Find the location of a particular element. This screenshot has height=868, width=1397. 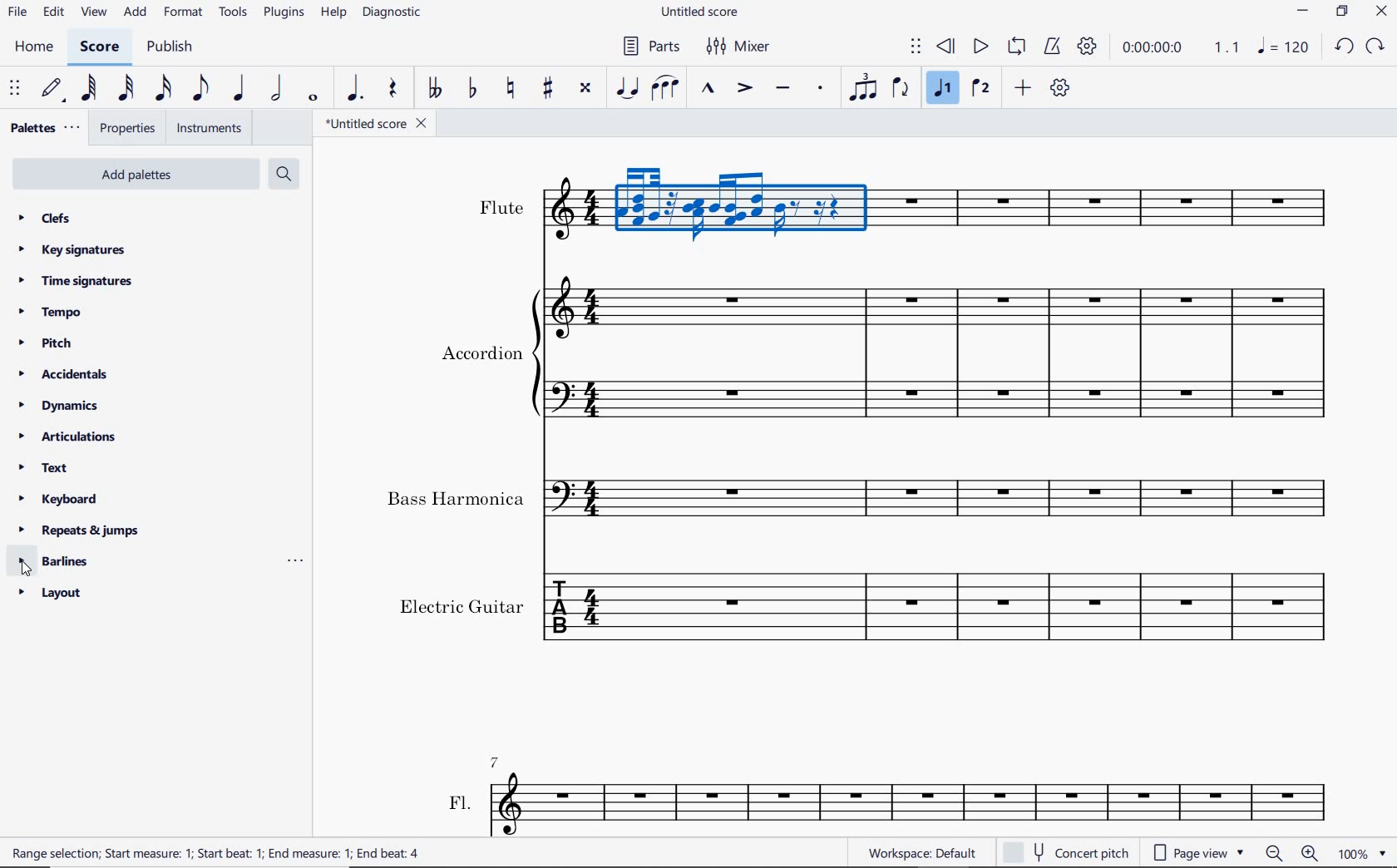

keyboard is located at coordinates (61, 499).